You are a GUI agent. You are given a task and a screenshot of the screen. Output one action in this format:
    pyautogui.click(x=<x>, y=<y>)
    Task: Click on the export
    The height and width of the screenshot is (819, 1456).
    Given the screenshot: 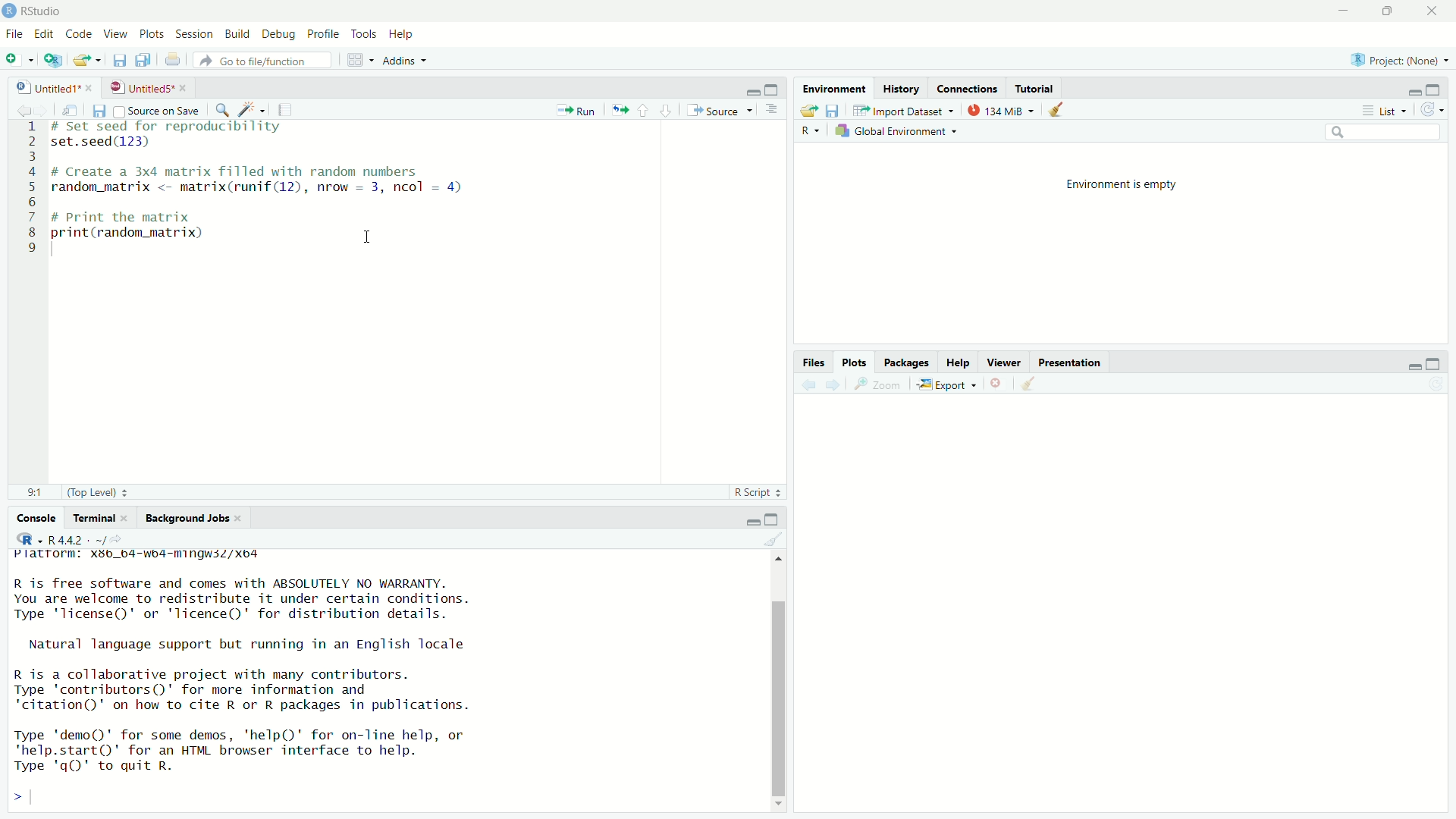 What is the action you would take?
    pyautogui.click(x=86, y=59)
    